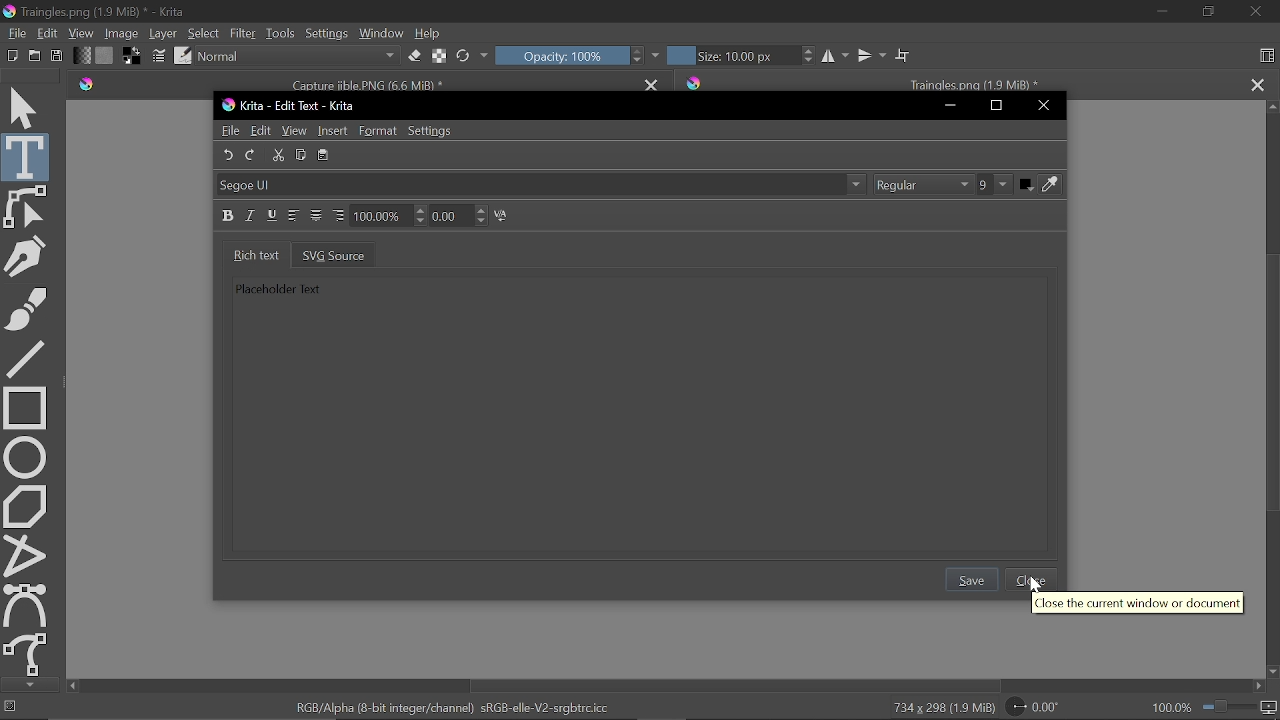 Image resolution: width=1280 pixels, height=720 pixels. What do you see at coordinates (80, 33) in the screenshot?
I see `View` at bounding box center [80, 33].